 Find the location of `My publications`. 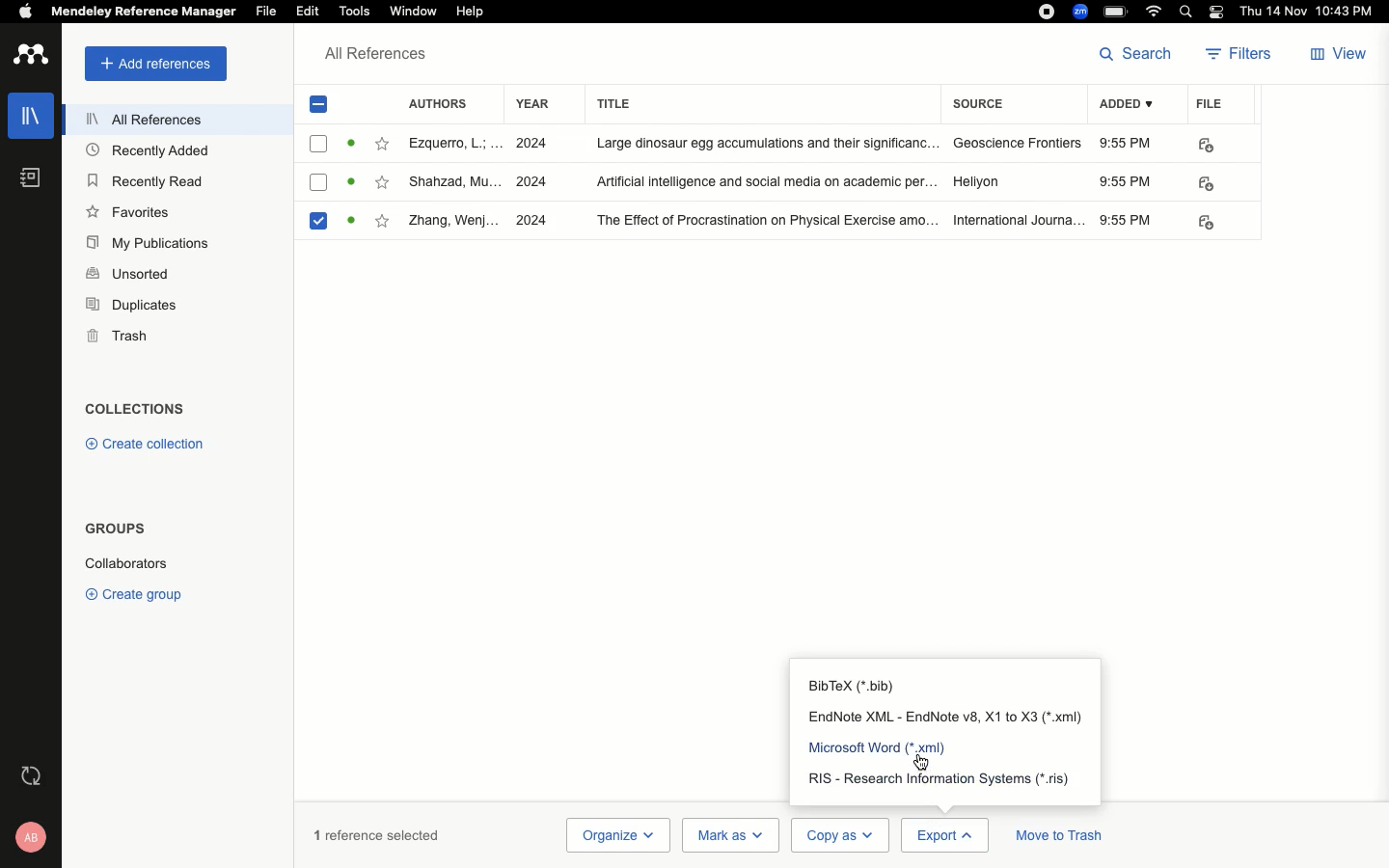

My publications is located at coordinates (152, 244).